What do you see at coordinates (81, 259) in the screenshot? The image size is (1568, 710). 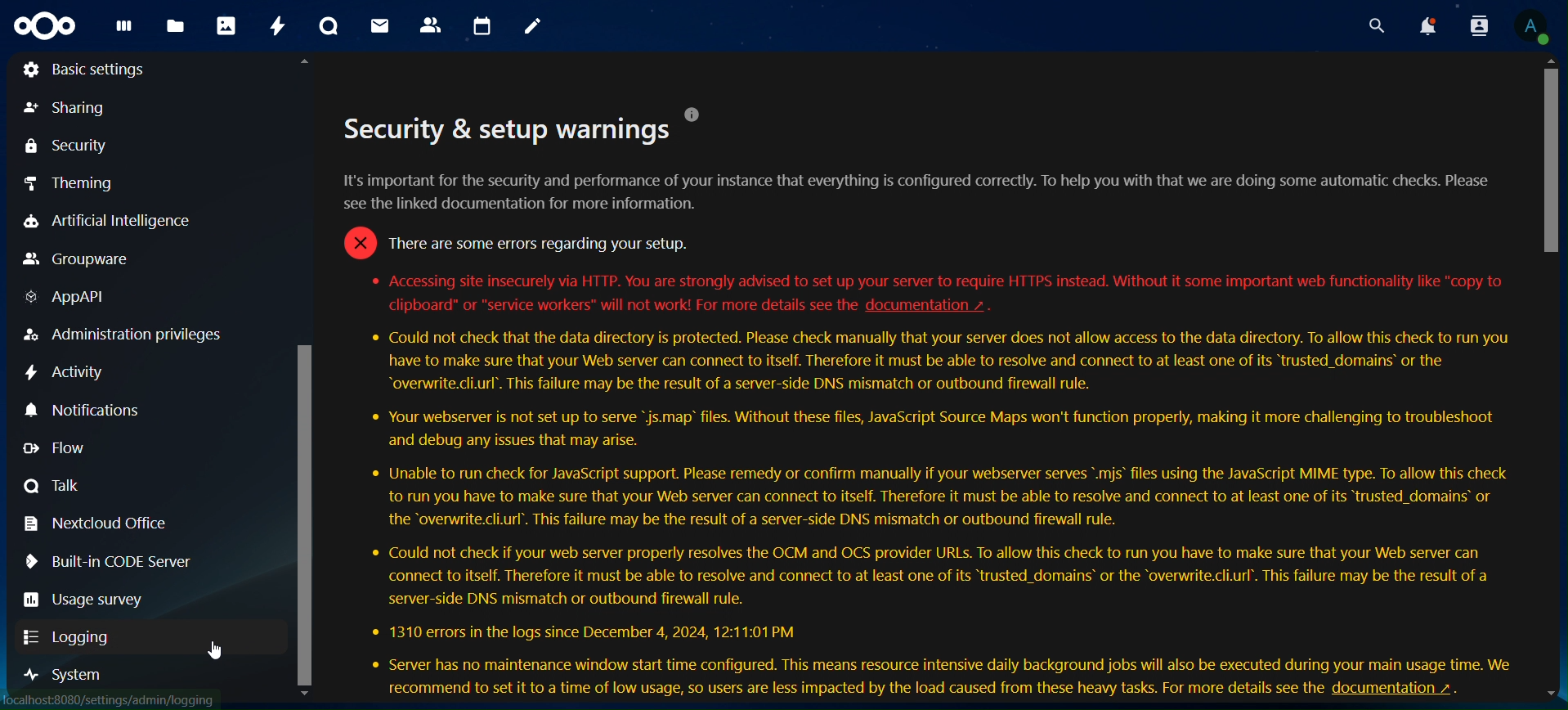 I see `groupware` at bounding box center [81, 259].